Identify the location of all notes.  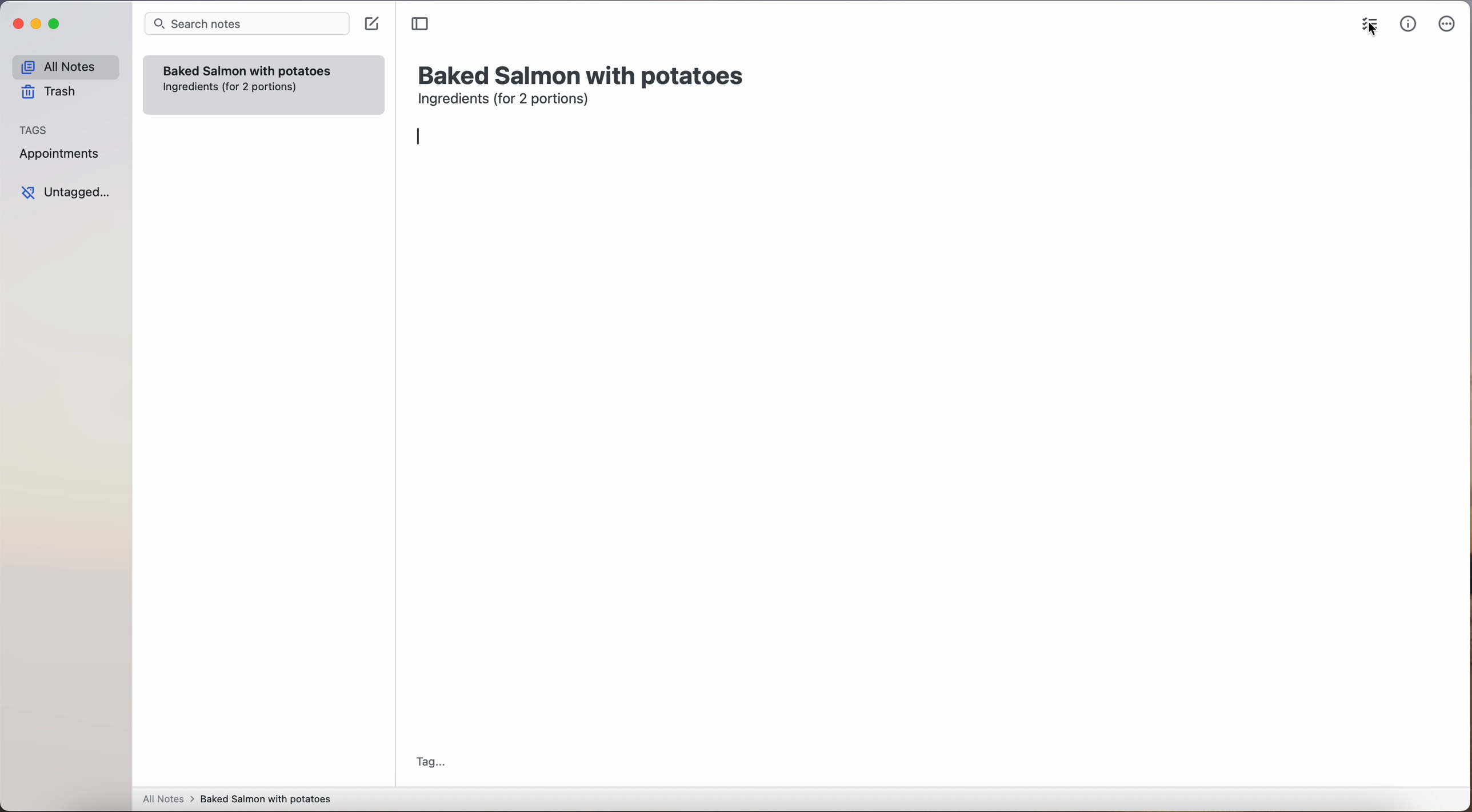
(65, 66).